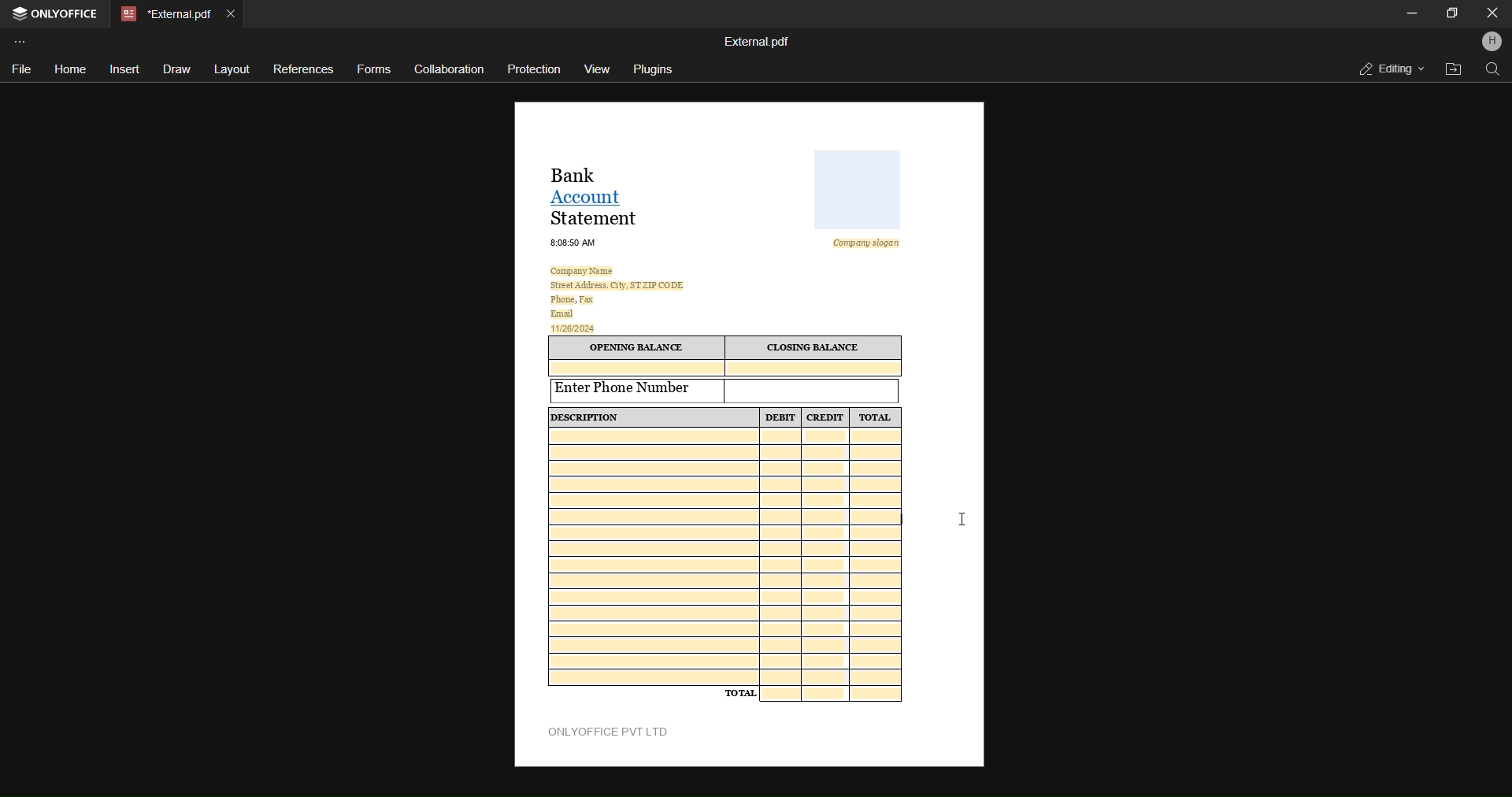 The height and width of the screenshot is (797, 1512). Describe the element at coordinates (70, 70) in the screenshot. I see `home` at that location.